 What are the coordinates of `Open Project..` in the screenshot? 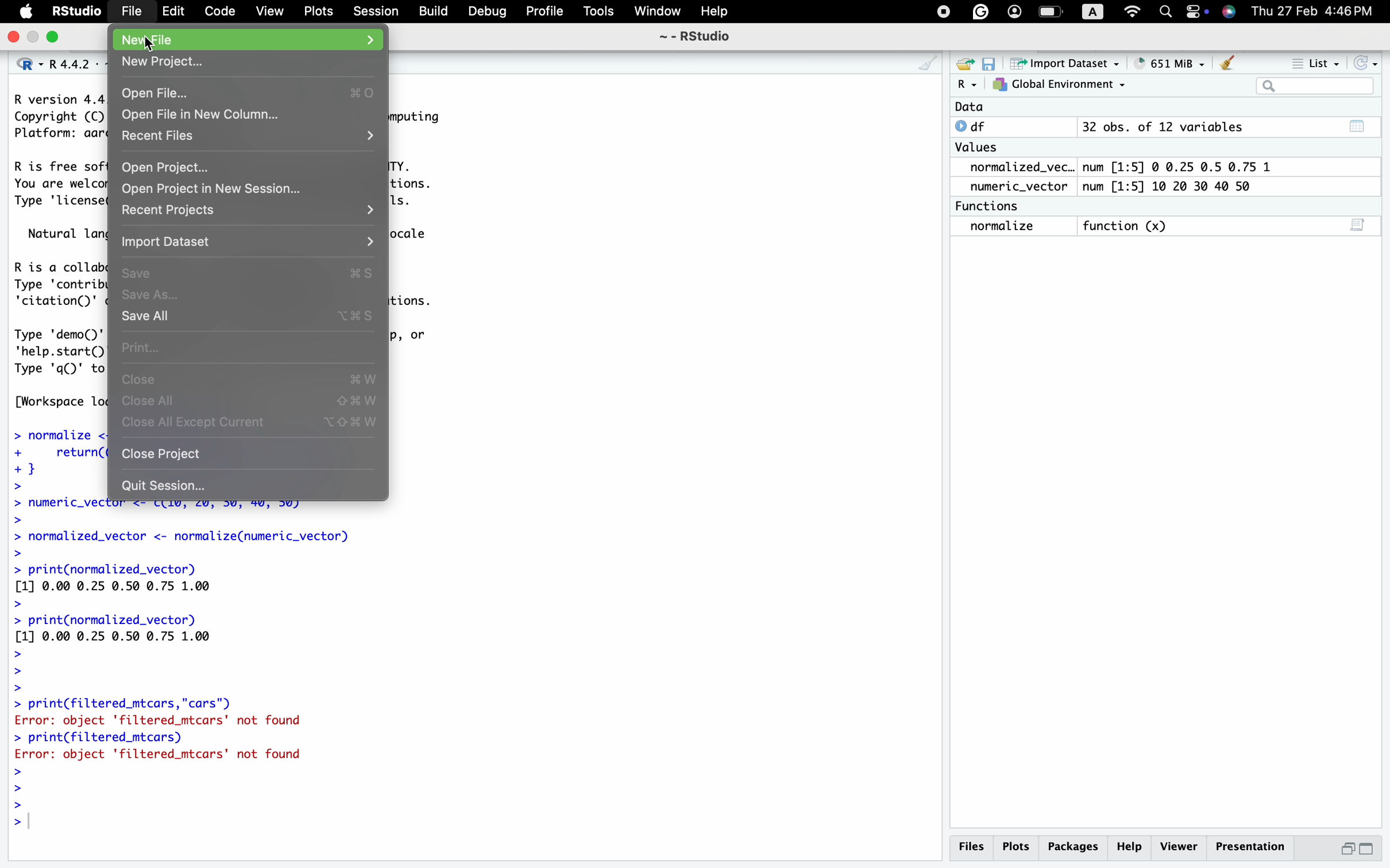 It's located at (204, 164).